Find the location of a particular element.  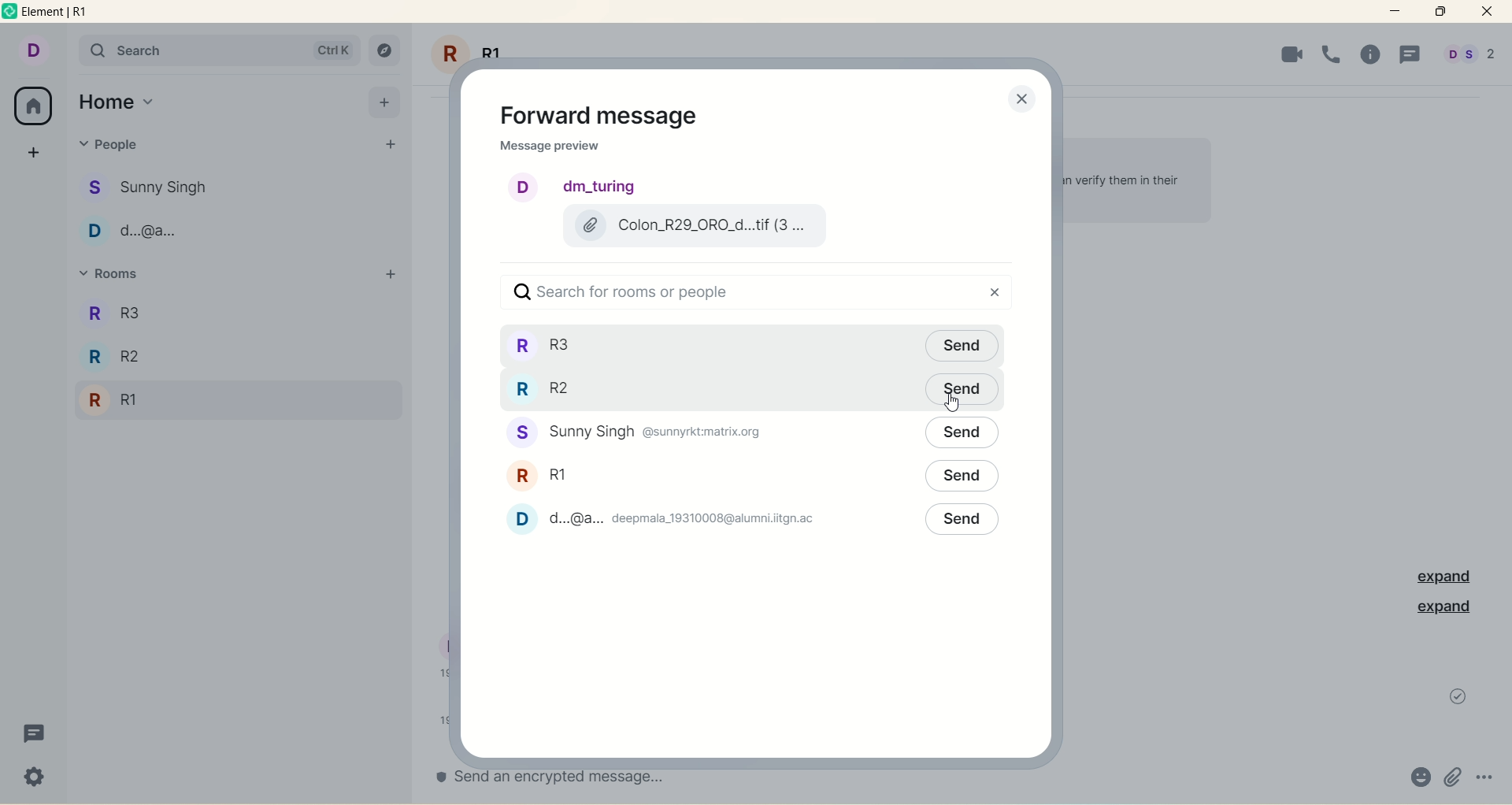

settings is located at coordinates (36, 779).